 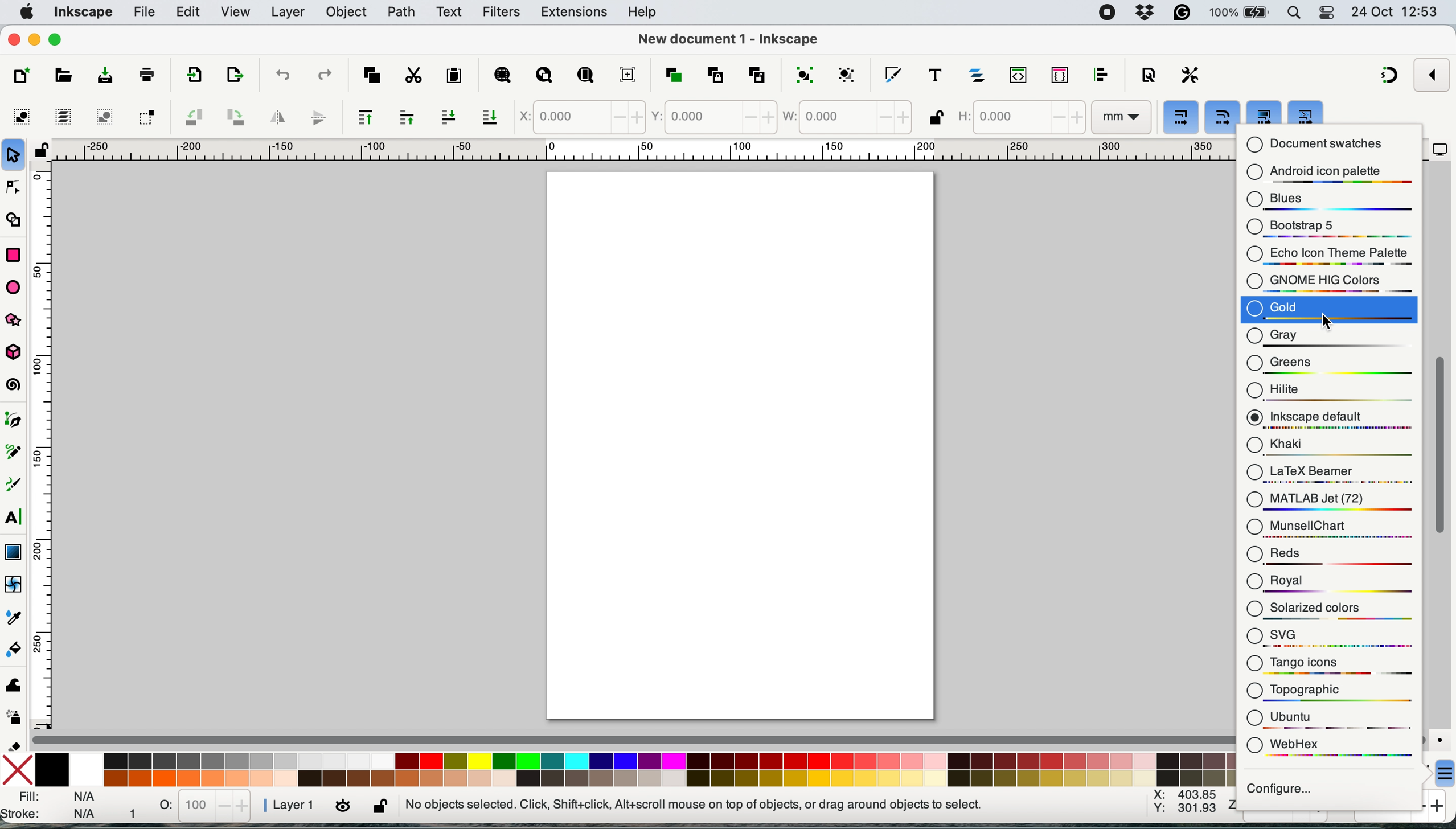 What do you see at coordinates (196, 77) in the screenshot?
I see `export` at bounding box center [196, 77].